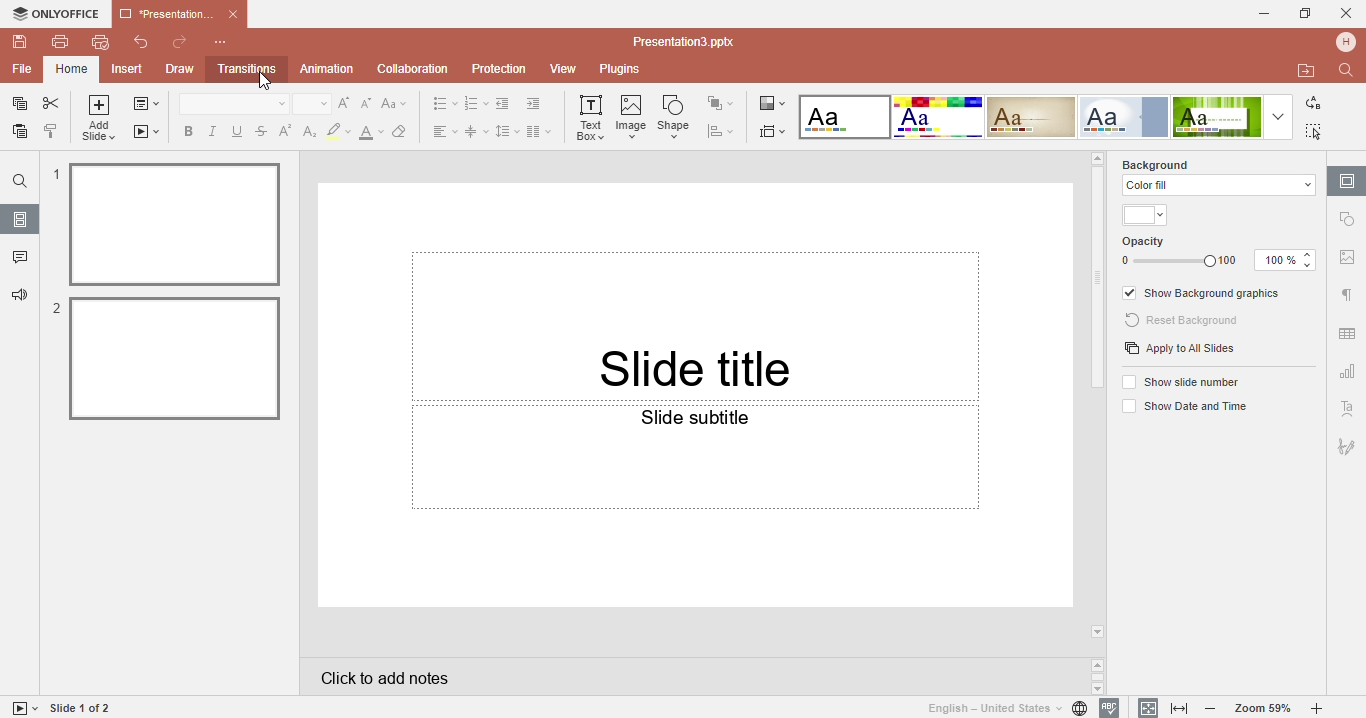 This screenshot has height=718, width=1366. I want to click on Superscript, so click(284, 131).